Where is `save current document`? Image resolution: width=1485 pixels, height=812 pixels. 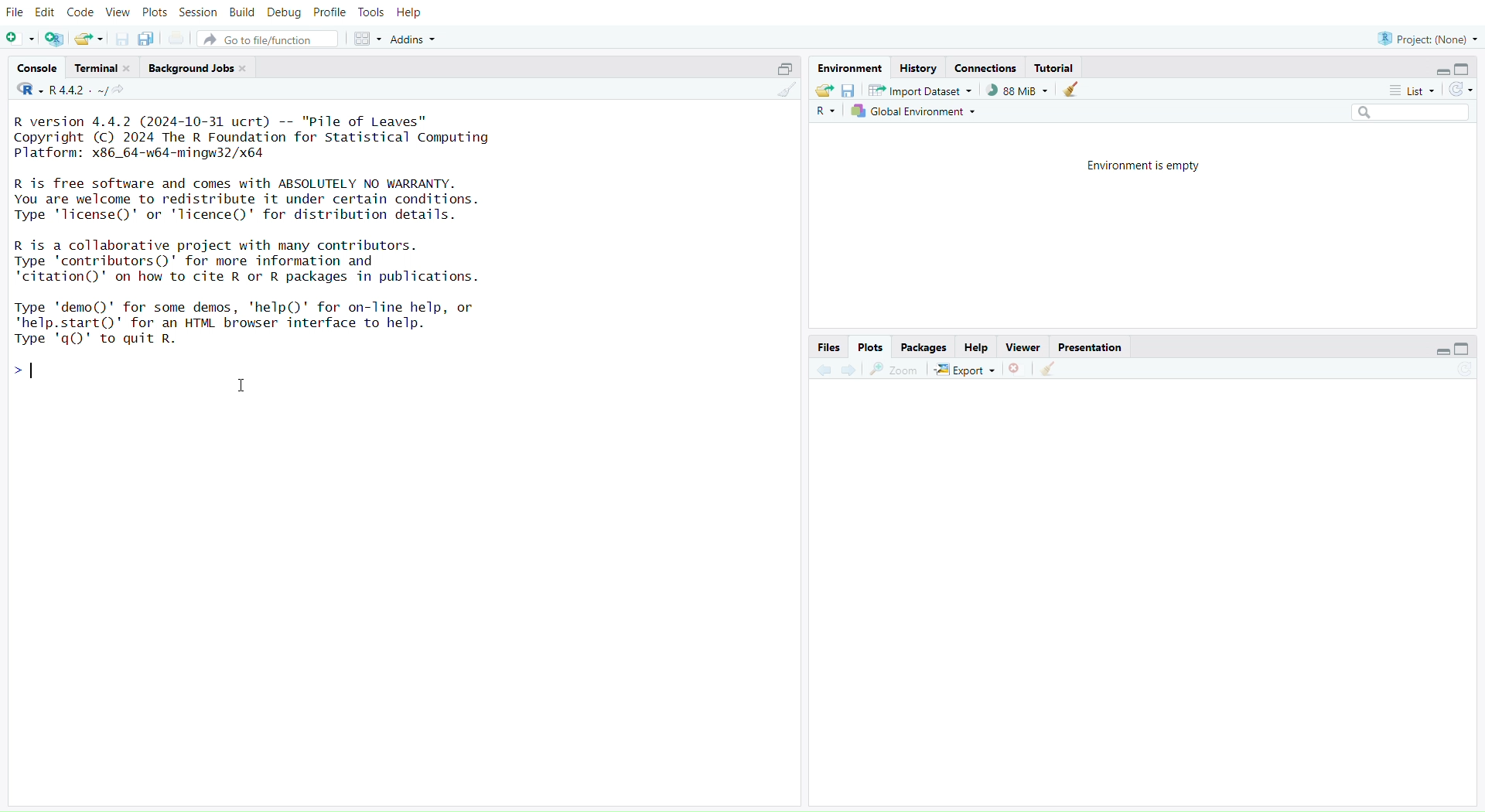 save current document is located at coordinates (121, 39).